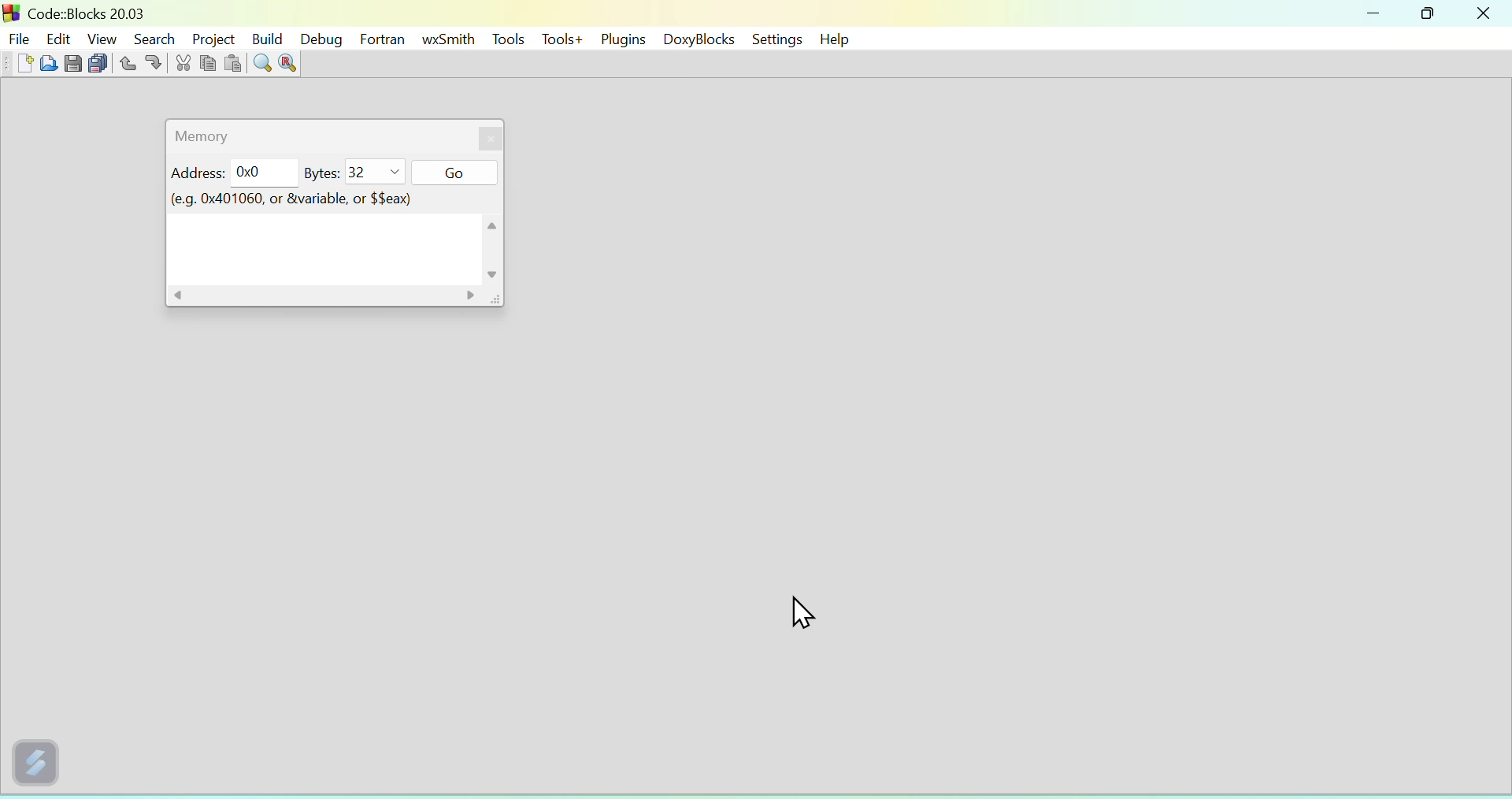 The width and height of the screenshot is (1512, 799). What do you see at coordinates (803, 611) in the screenshot?
I see `cursor` at bounding box center [803, 611].